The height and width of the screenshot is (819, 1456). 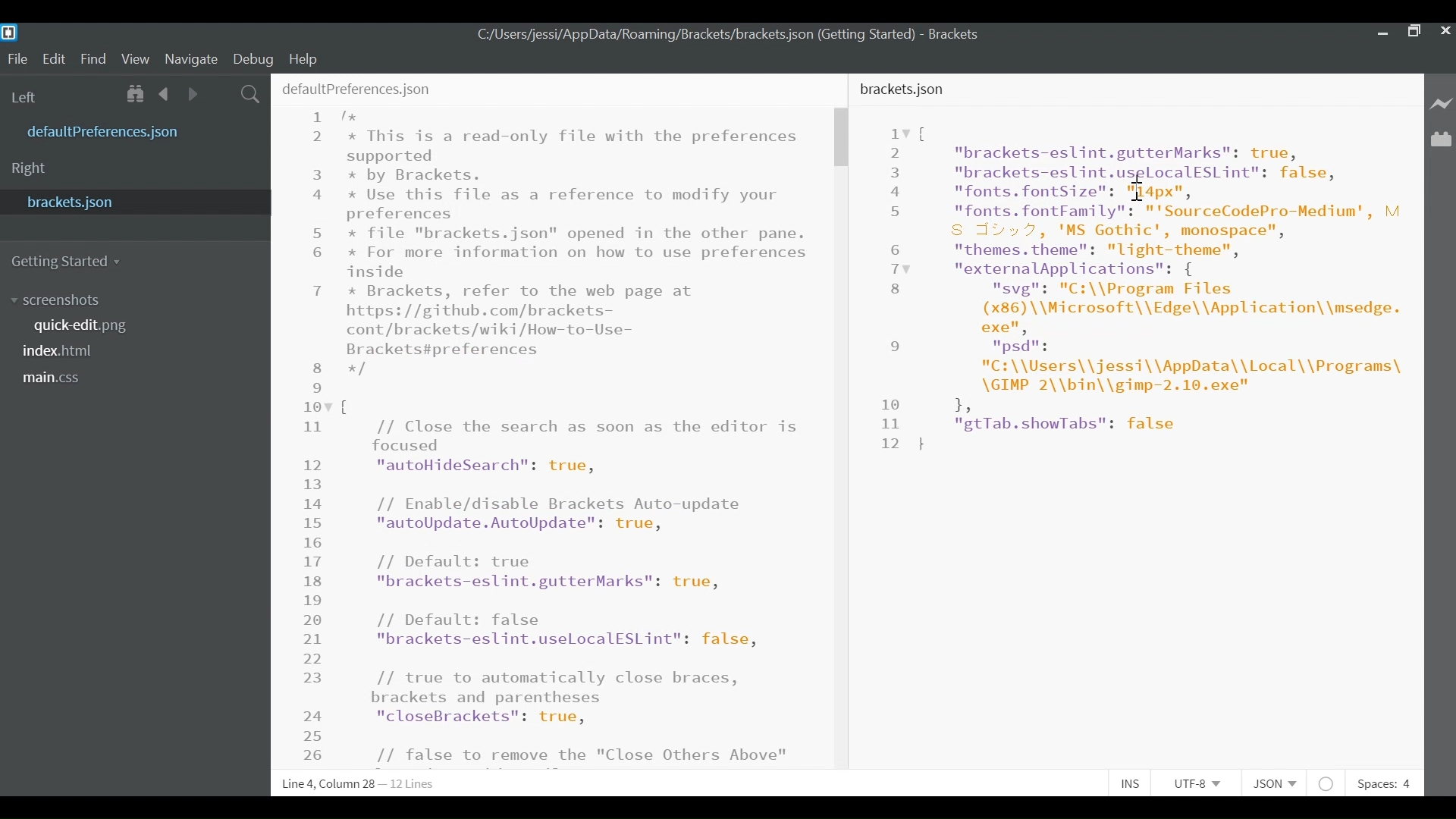 I want to click on File type, so click(x=1272, y=784).